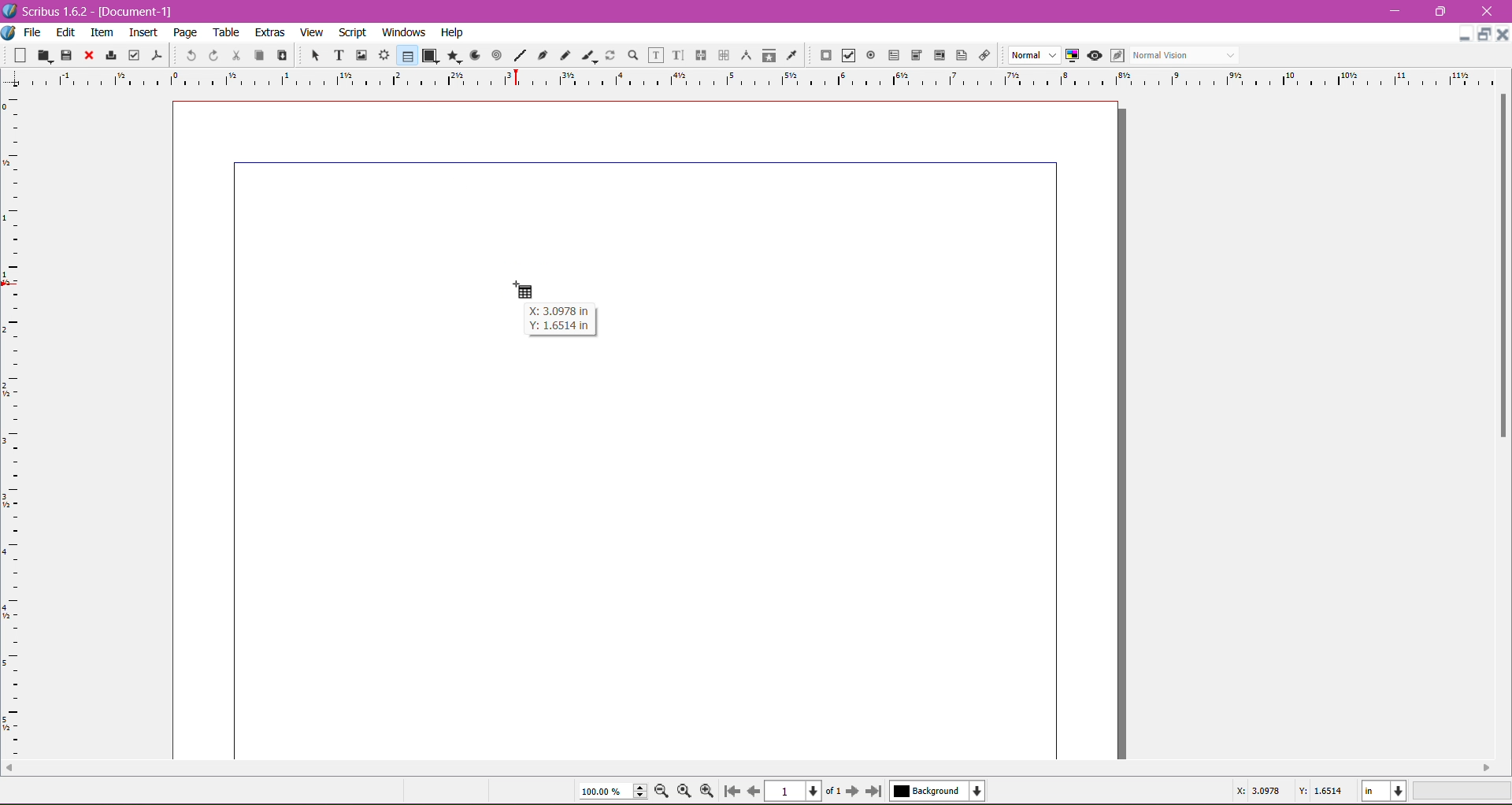 The width and height of the screenshot is (1512, 805). I want to click on Image Frame, so click(359, 54).